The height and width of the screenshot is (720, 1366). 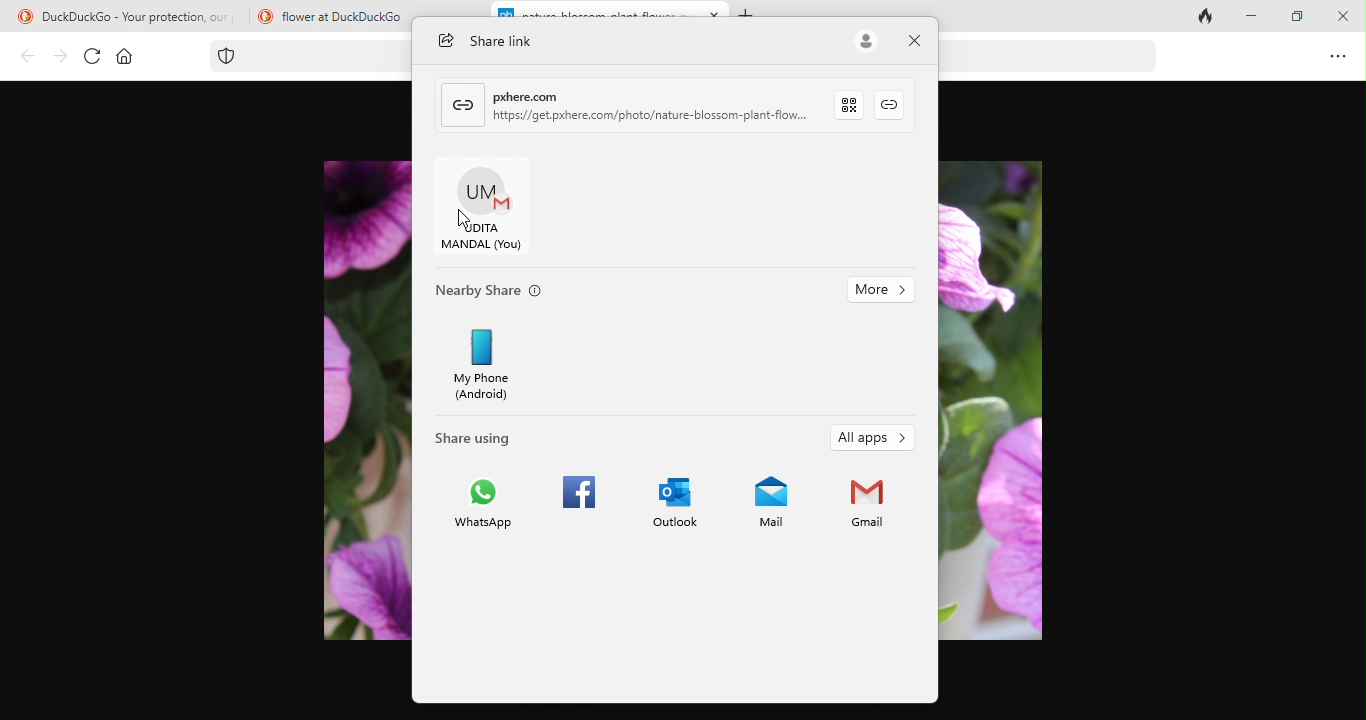 What do you see at coordinates (571, 511) in the screenshot?
I see `facebook` at bounding box center [571, 511].